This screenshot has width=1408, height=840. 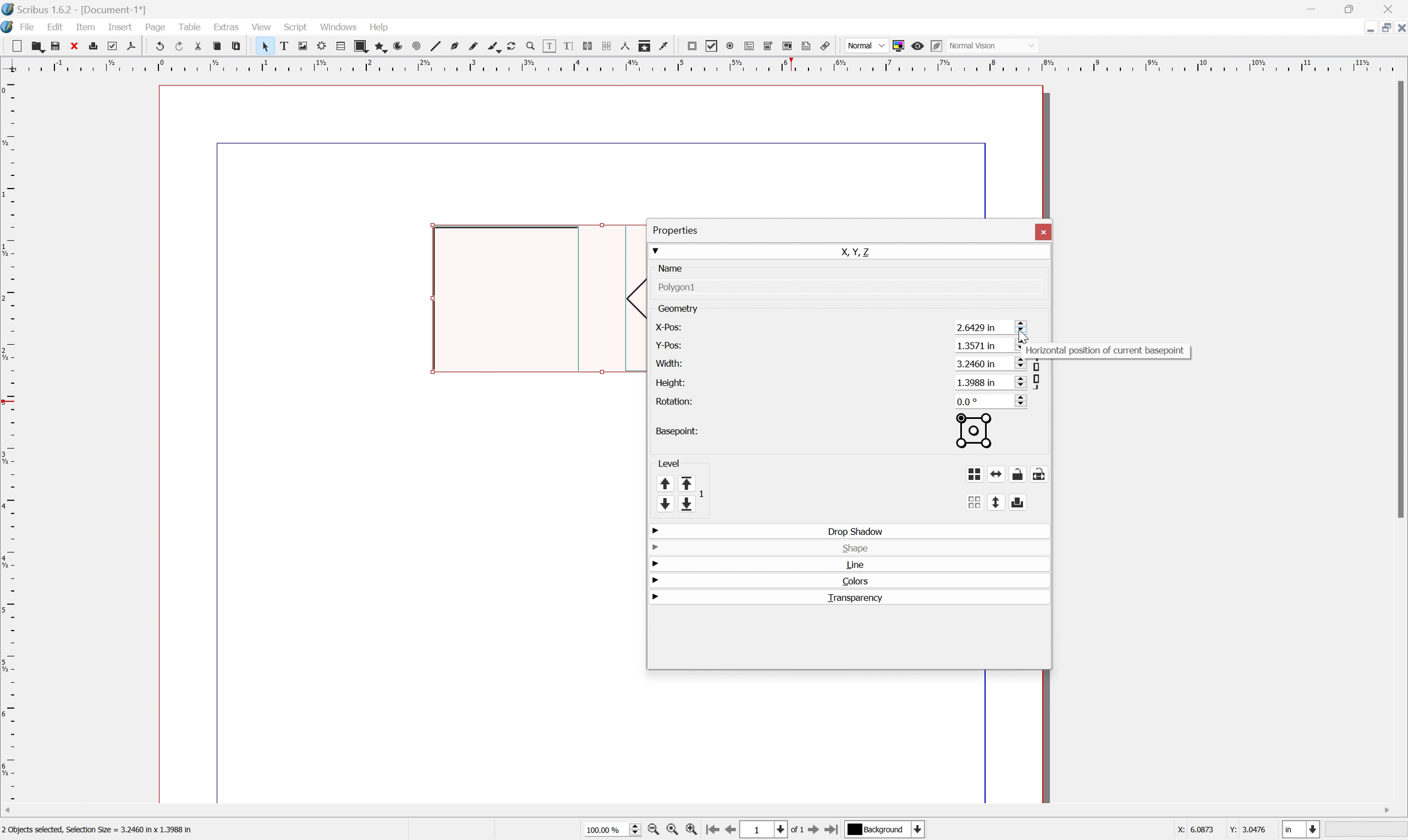 I want to click on Scroll Bar, so click(x=1399, y=299).